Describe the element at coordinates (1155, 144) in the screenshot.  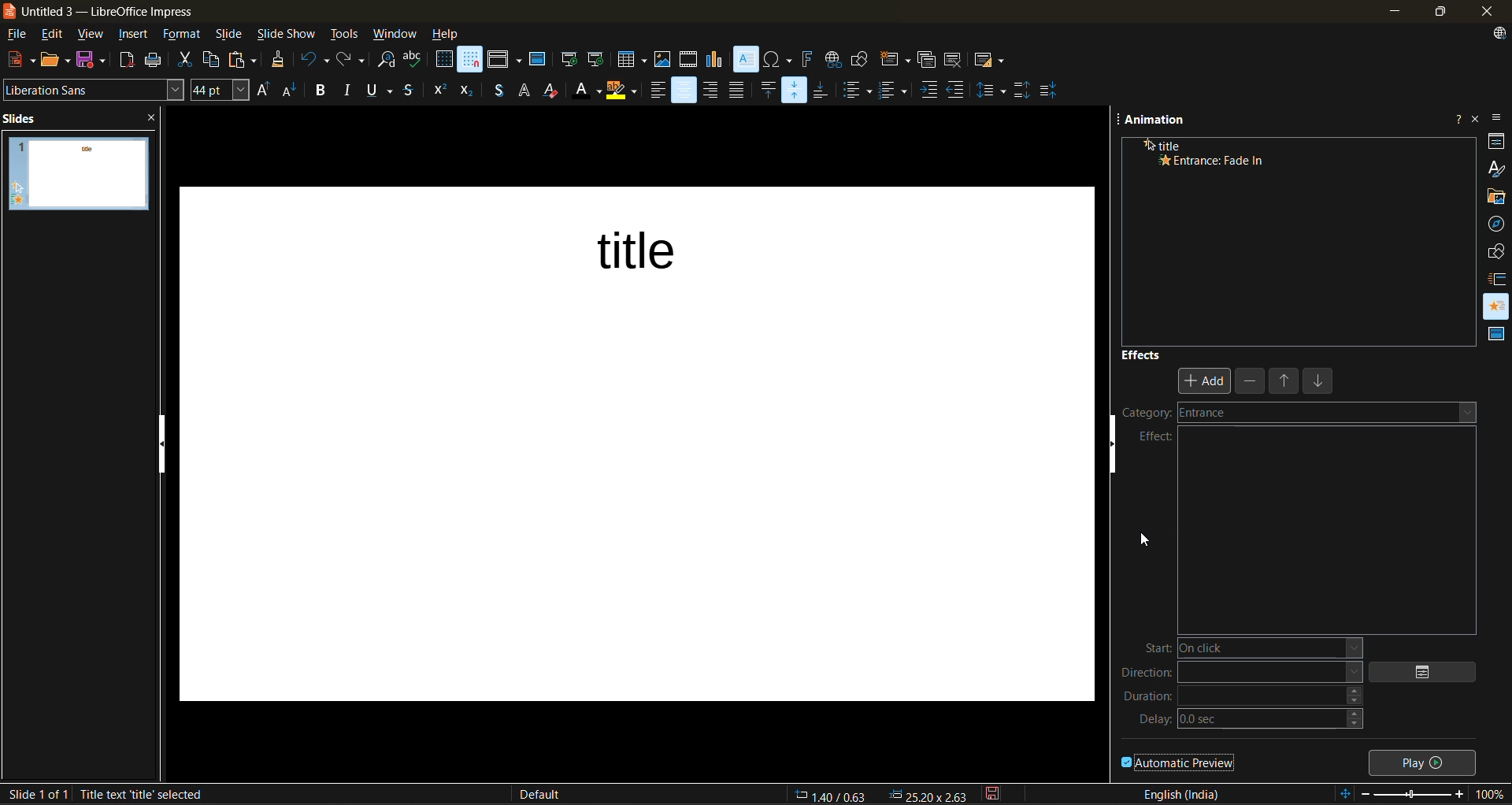
I see `title` at that location.